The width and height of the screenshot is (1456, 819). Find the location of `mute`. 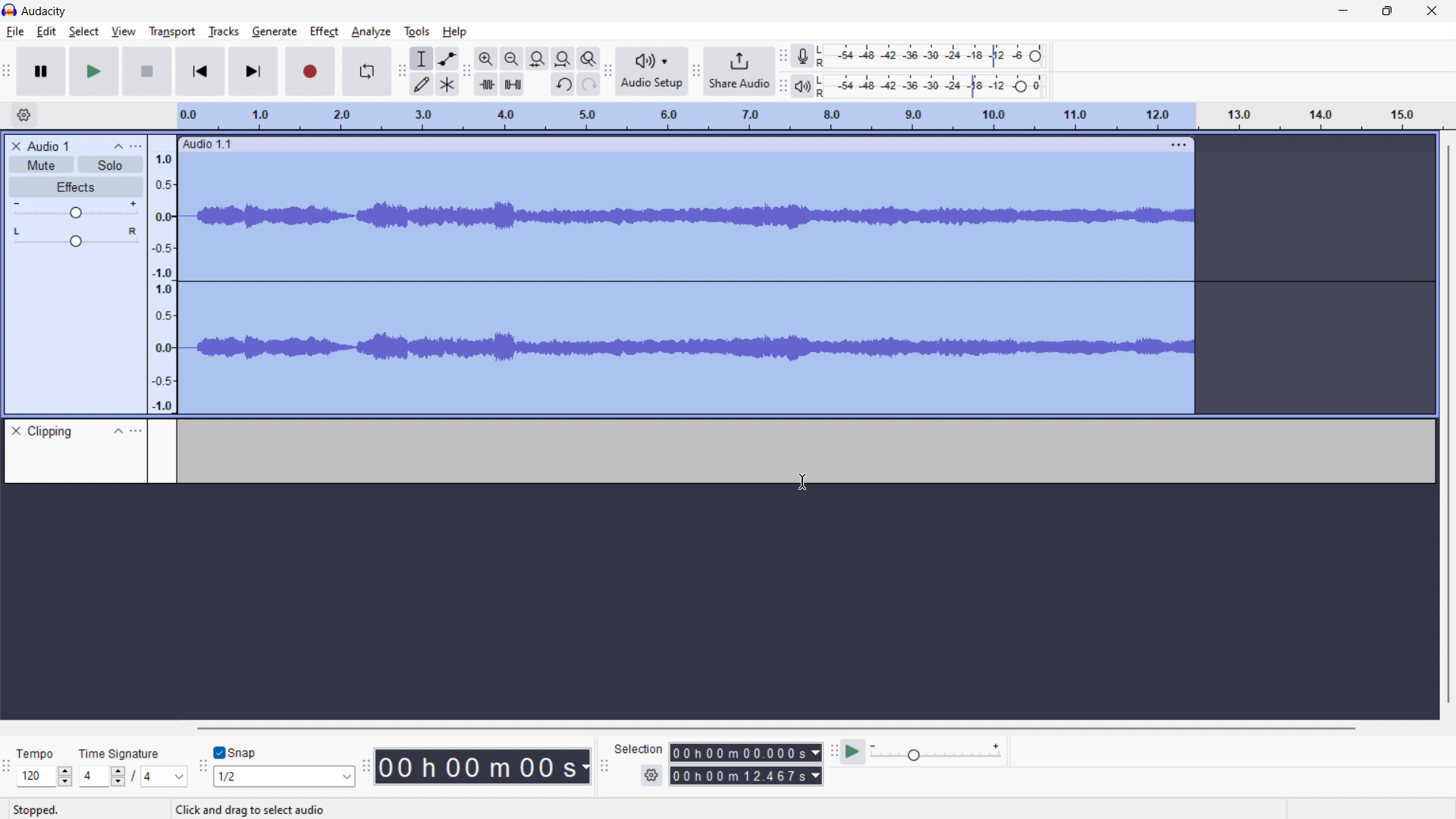

mute is located at coordinates (42, 165).